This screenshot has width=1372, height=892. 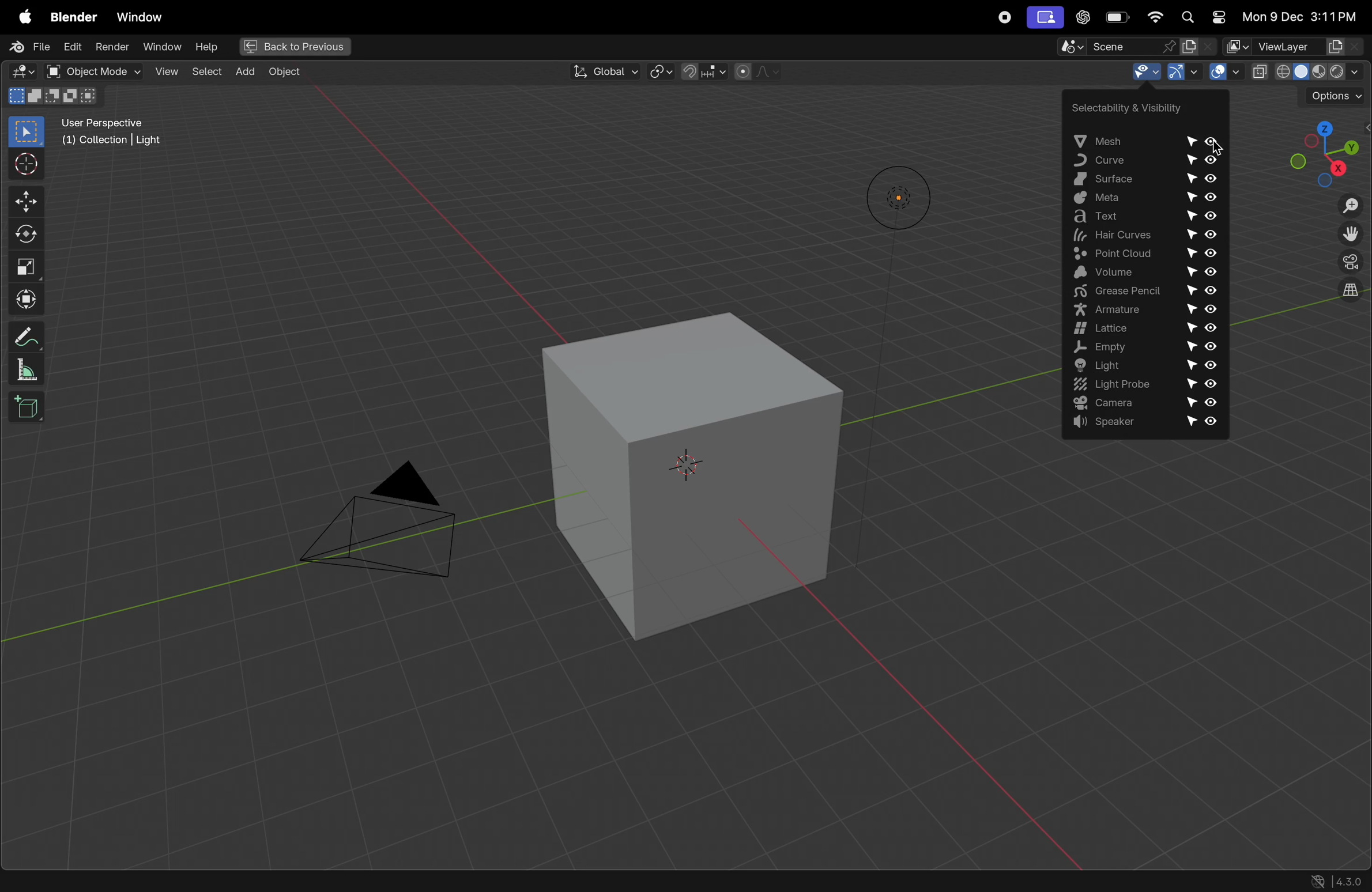 I want to click on text, so click(x=1139, y=218).